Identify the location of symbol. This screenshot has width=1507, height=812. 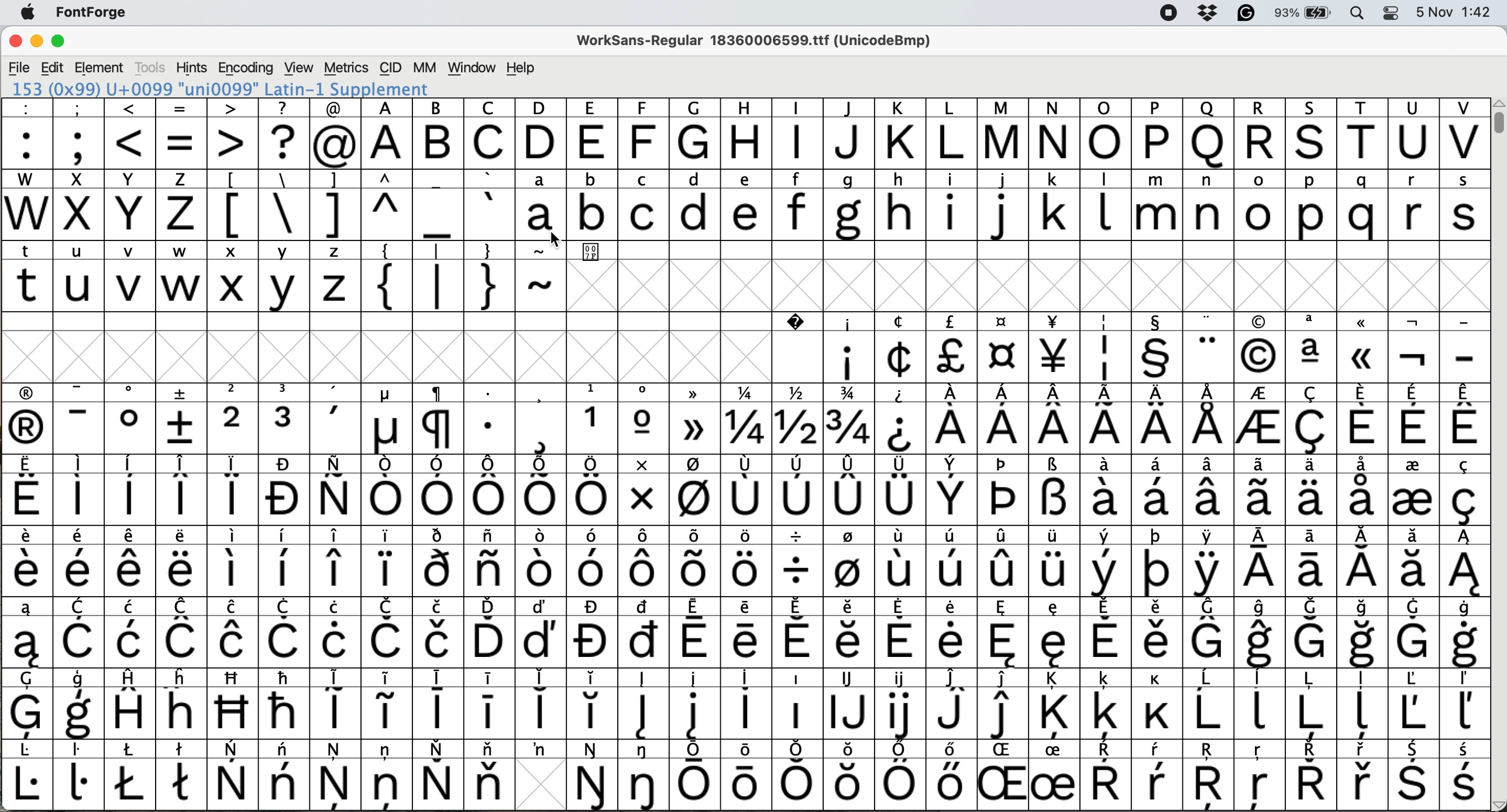
(1463, 704).